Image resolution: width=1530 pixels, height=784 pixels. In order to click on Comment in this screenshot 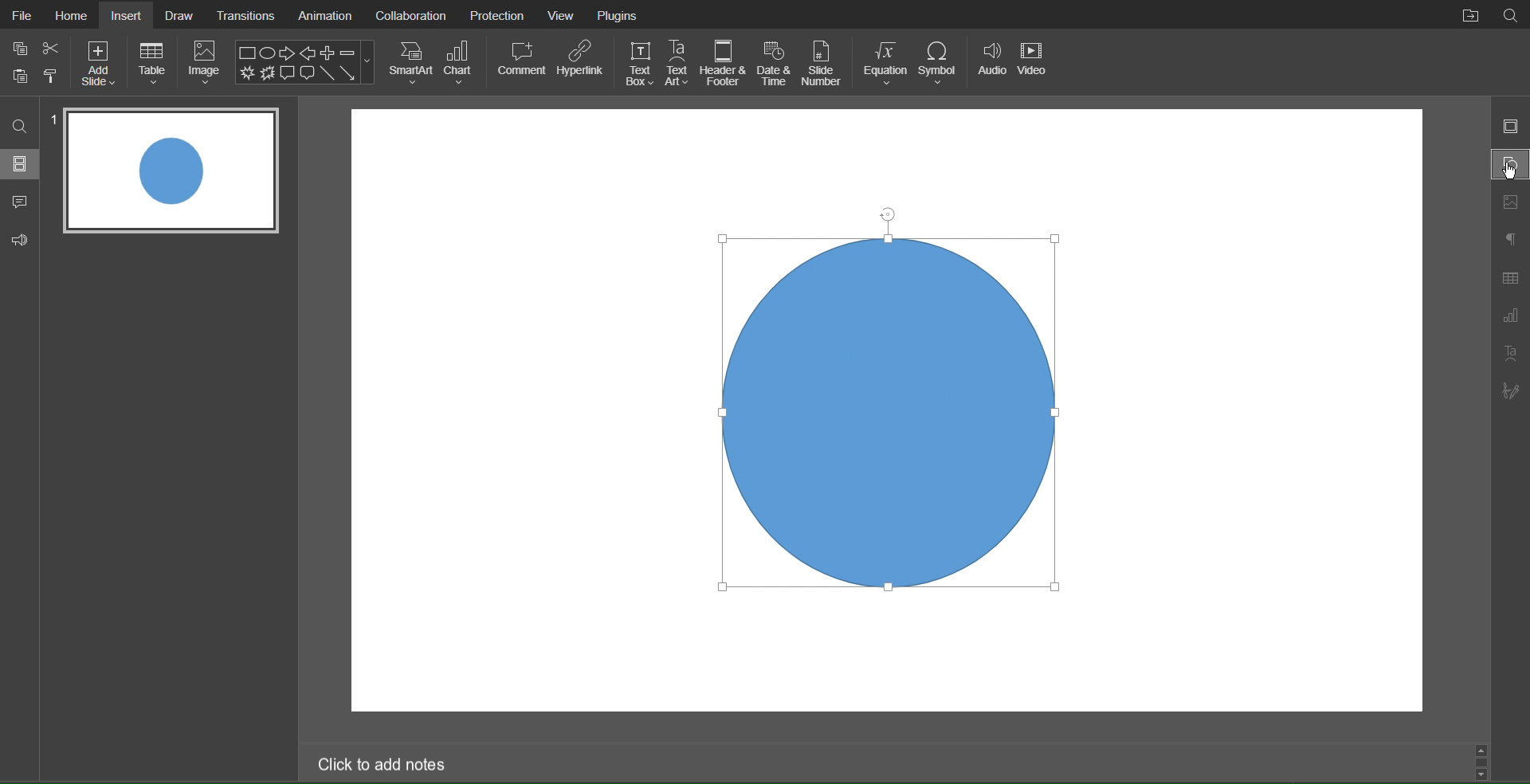, I will do `click(521, 62)`.